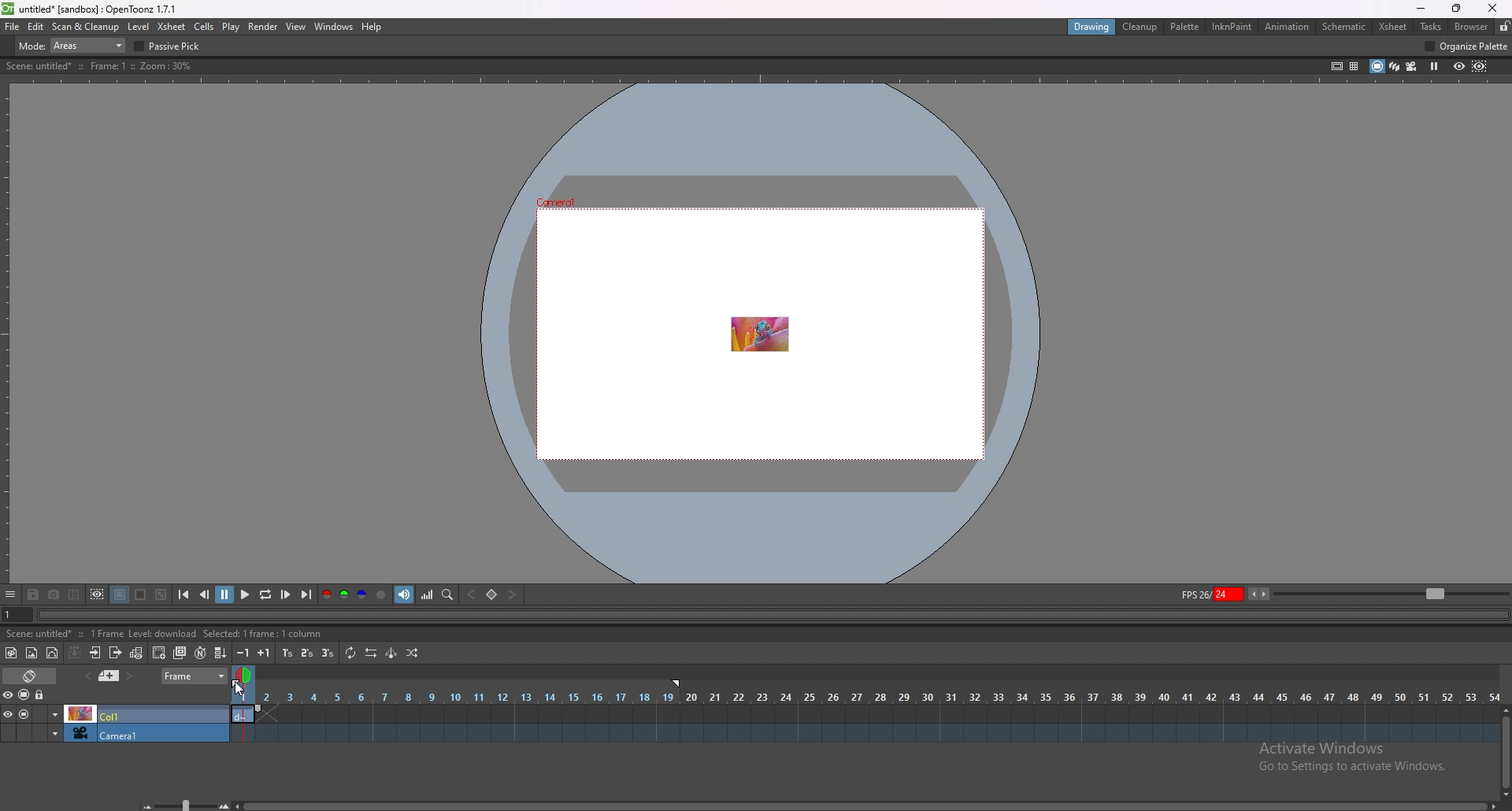 The height and width of the screenshot is (811, 1512). I want to click on set key, so click(493, 594).